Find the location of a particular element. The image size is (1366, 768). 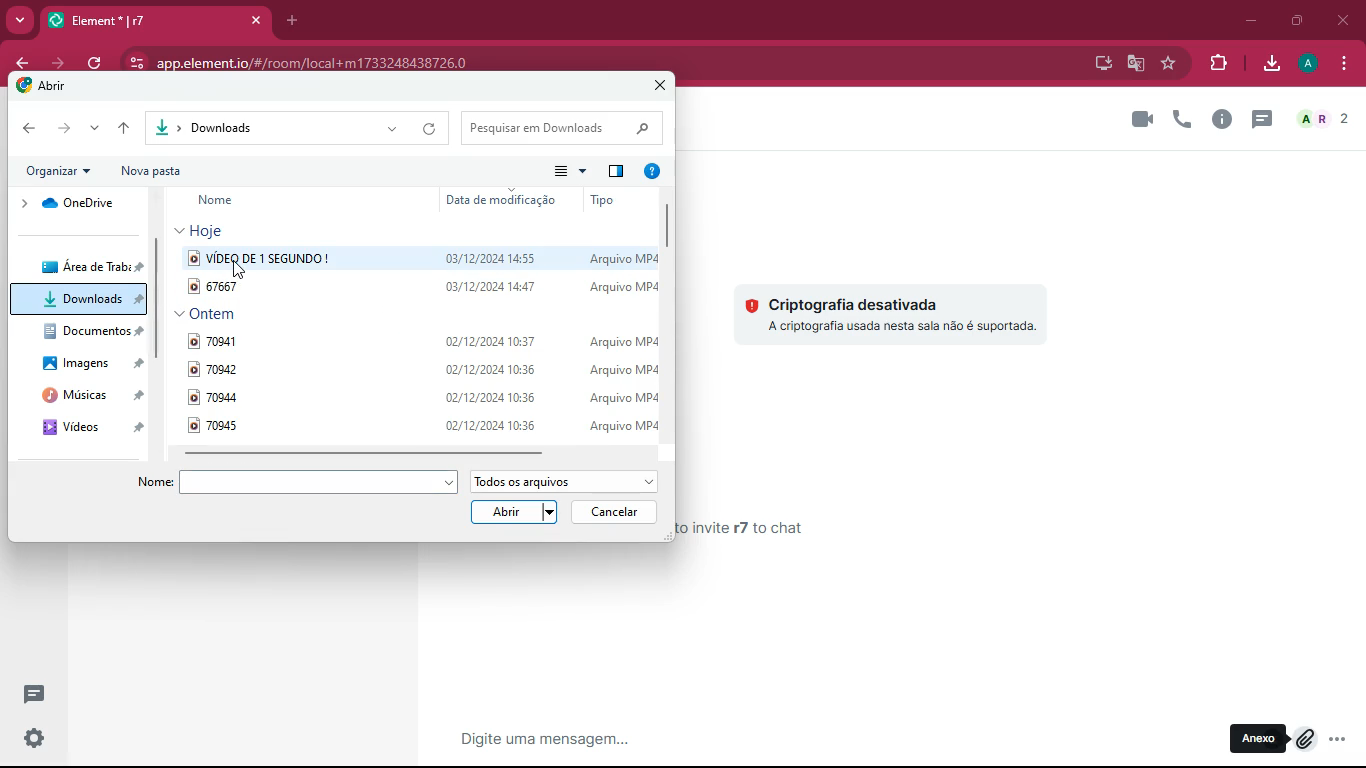

file name is located at coordinates (296, 482).